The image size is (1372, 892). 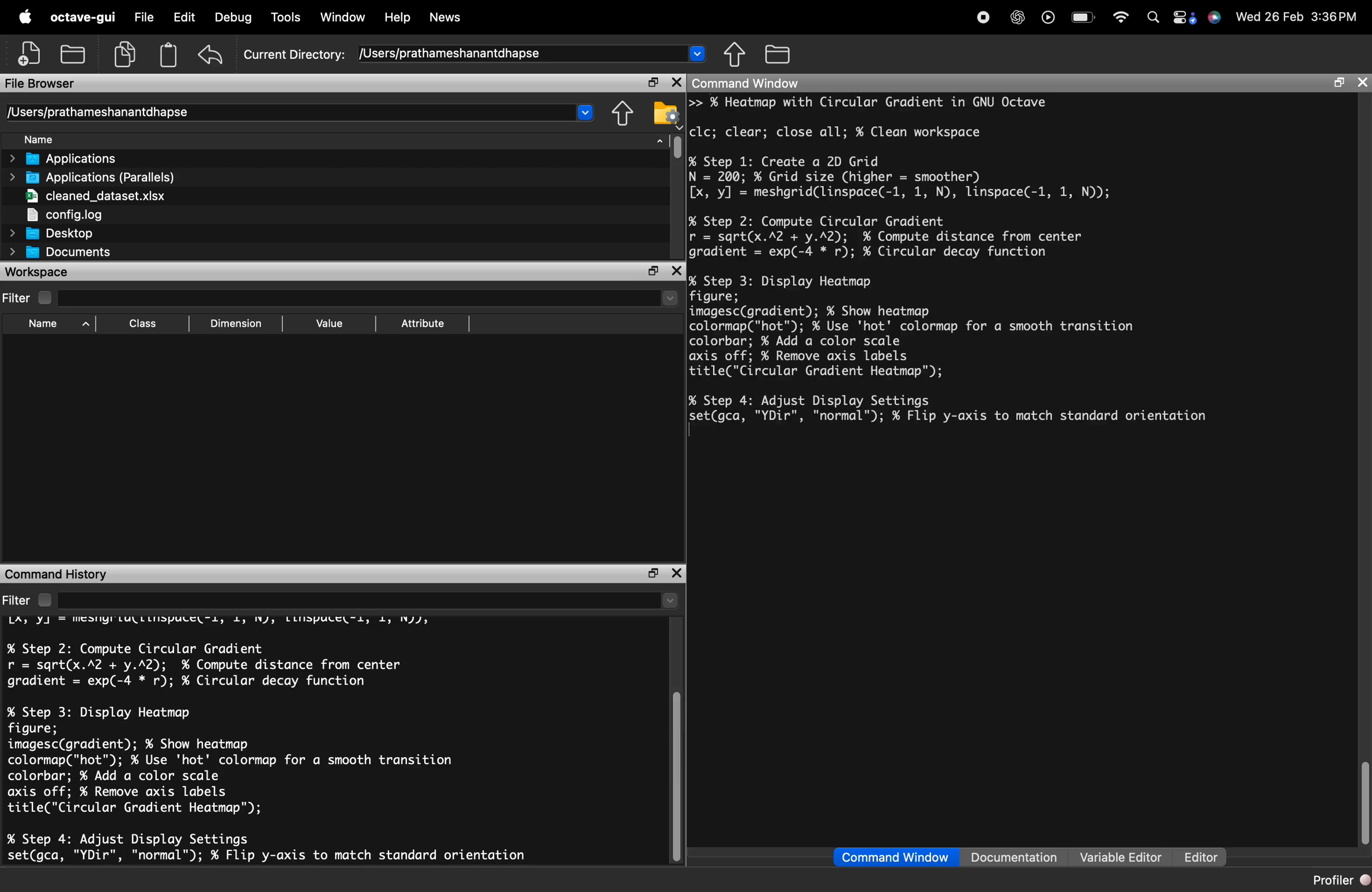 What do you see at coordinates (1336, 17) in the screenshot?
I see `3:36 PM` at bounding box center [1336, 17].